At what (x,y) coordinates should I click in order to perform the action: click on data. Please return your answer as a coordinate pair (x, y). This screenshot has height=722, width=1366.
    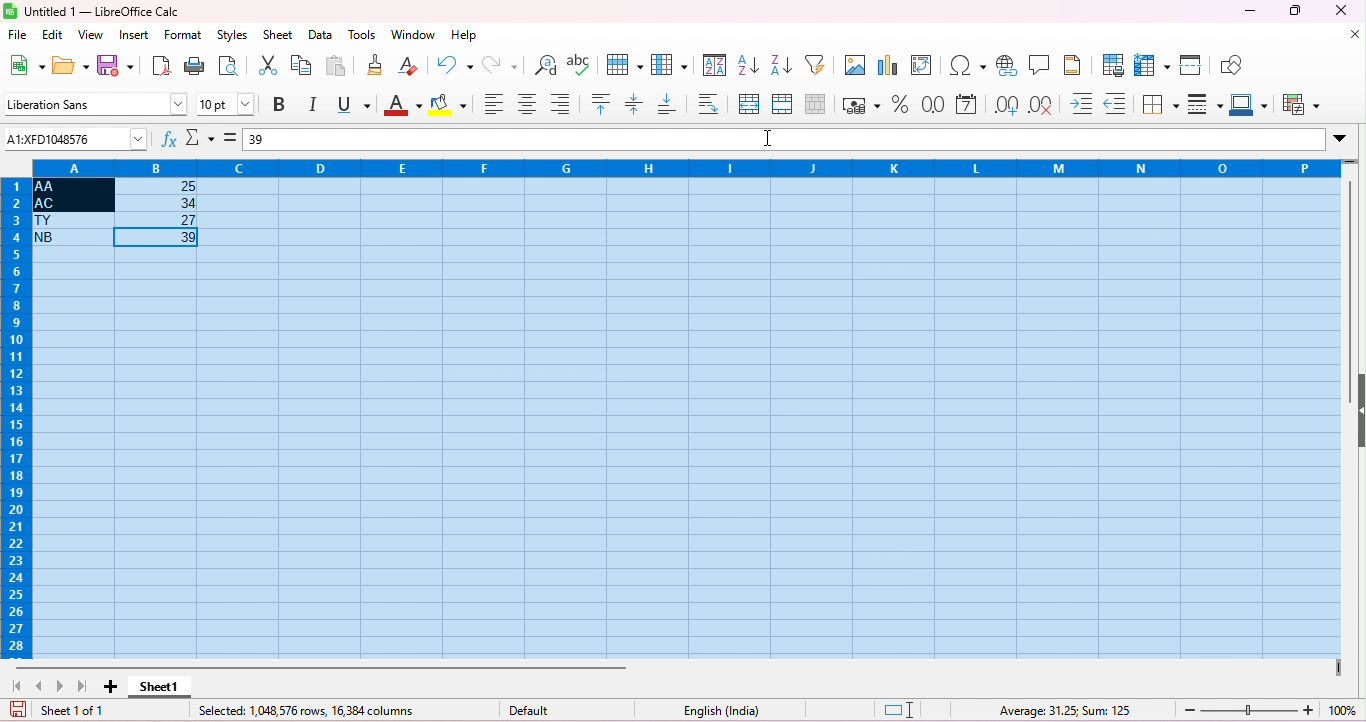
    Looking at the image, I should click on (320, 36).